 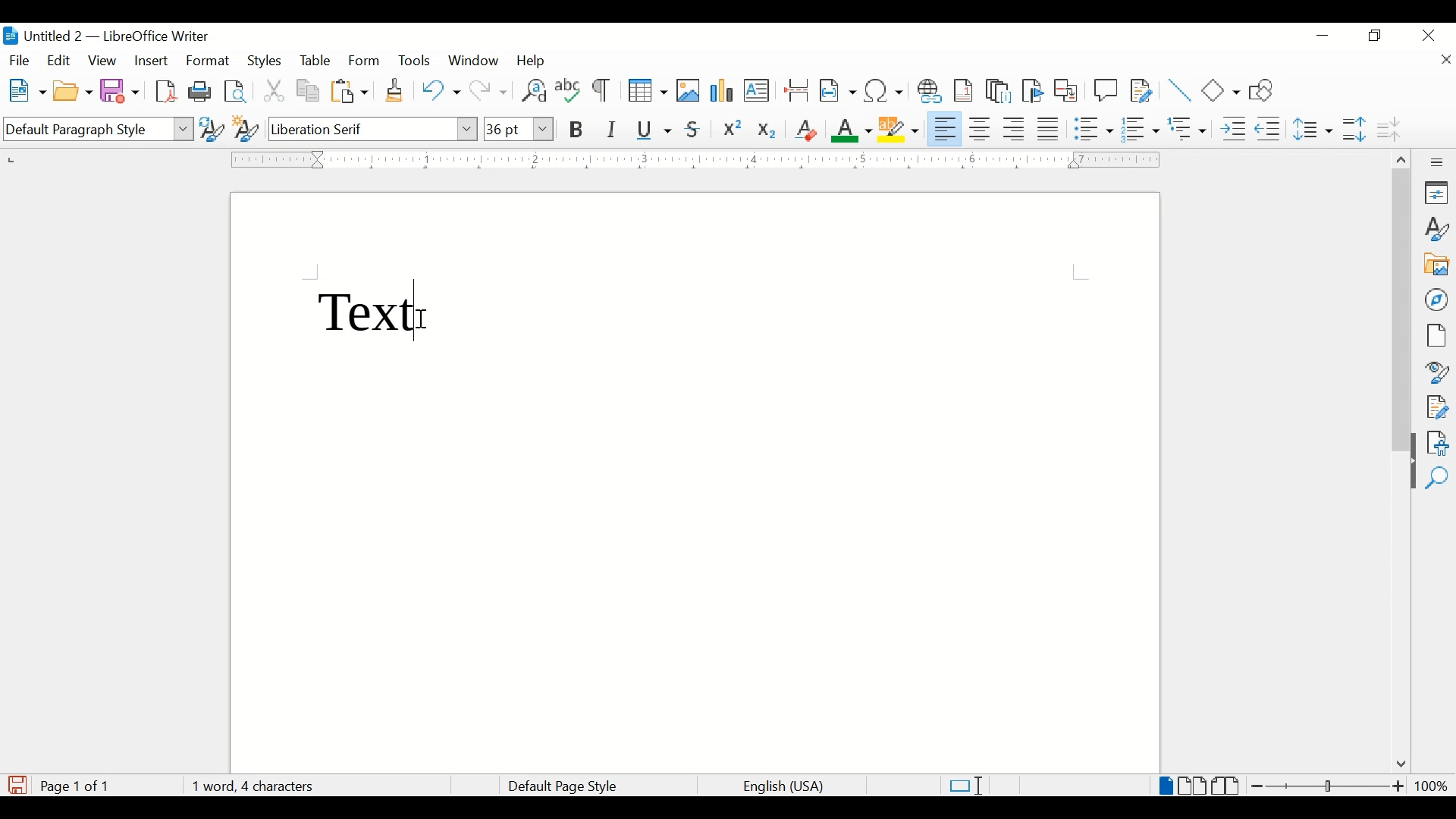 What do you see at coordinates (1438, 193) in the screenshot?
I see `properties` at bounding box center [1438, 193].